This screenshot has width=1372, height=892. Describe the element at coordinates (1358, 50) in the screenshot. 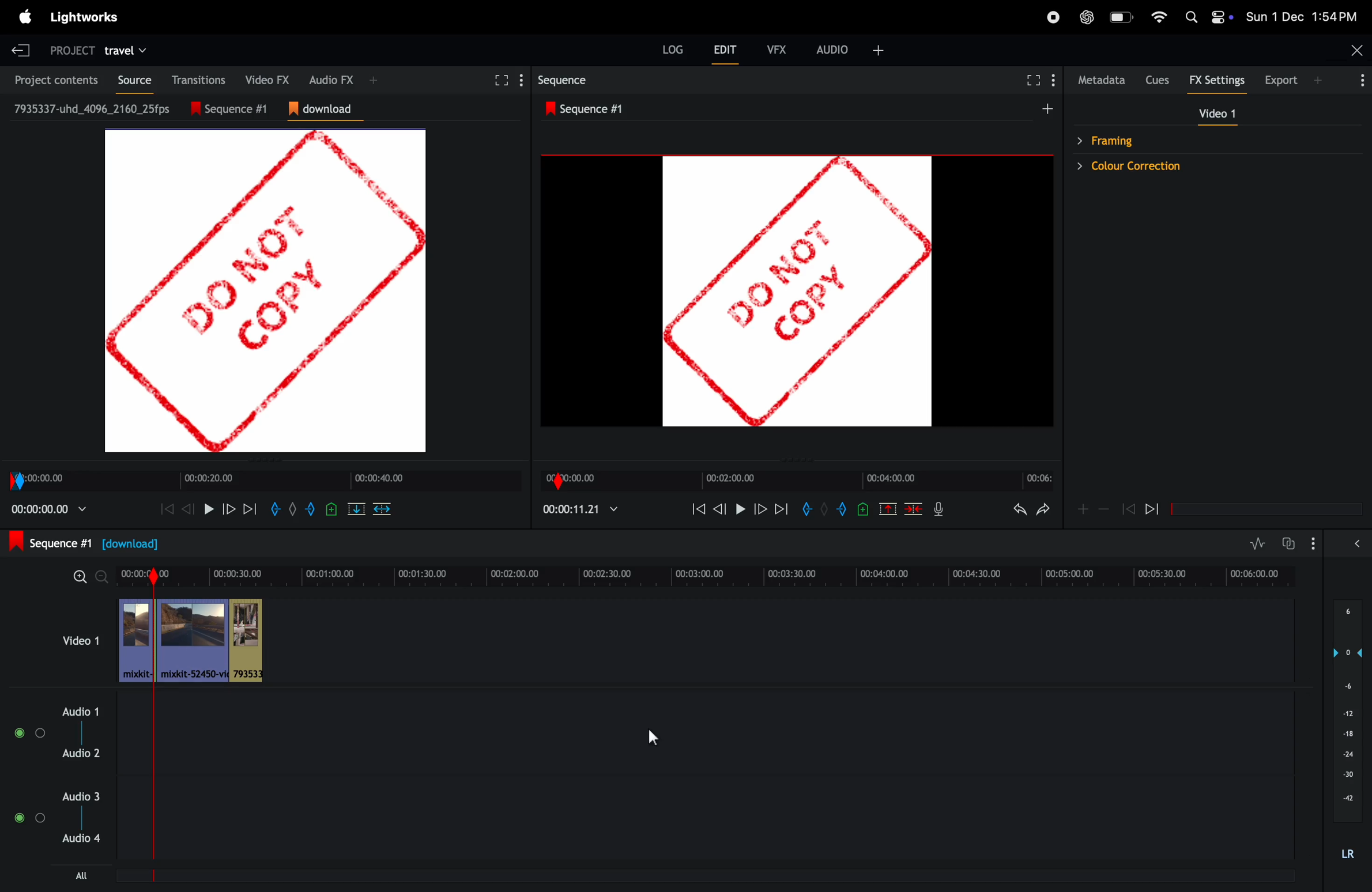

I see `close` at that location.